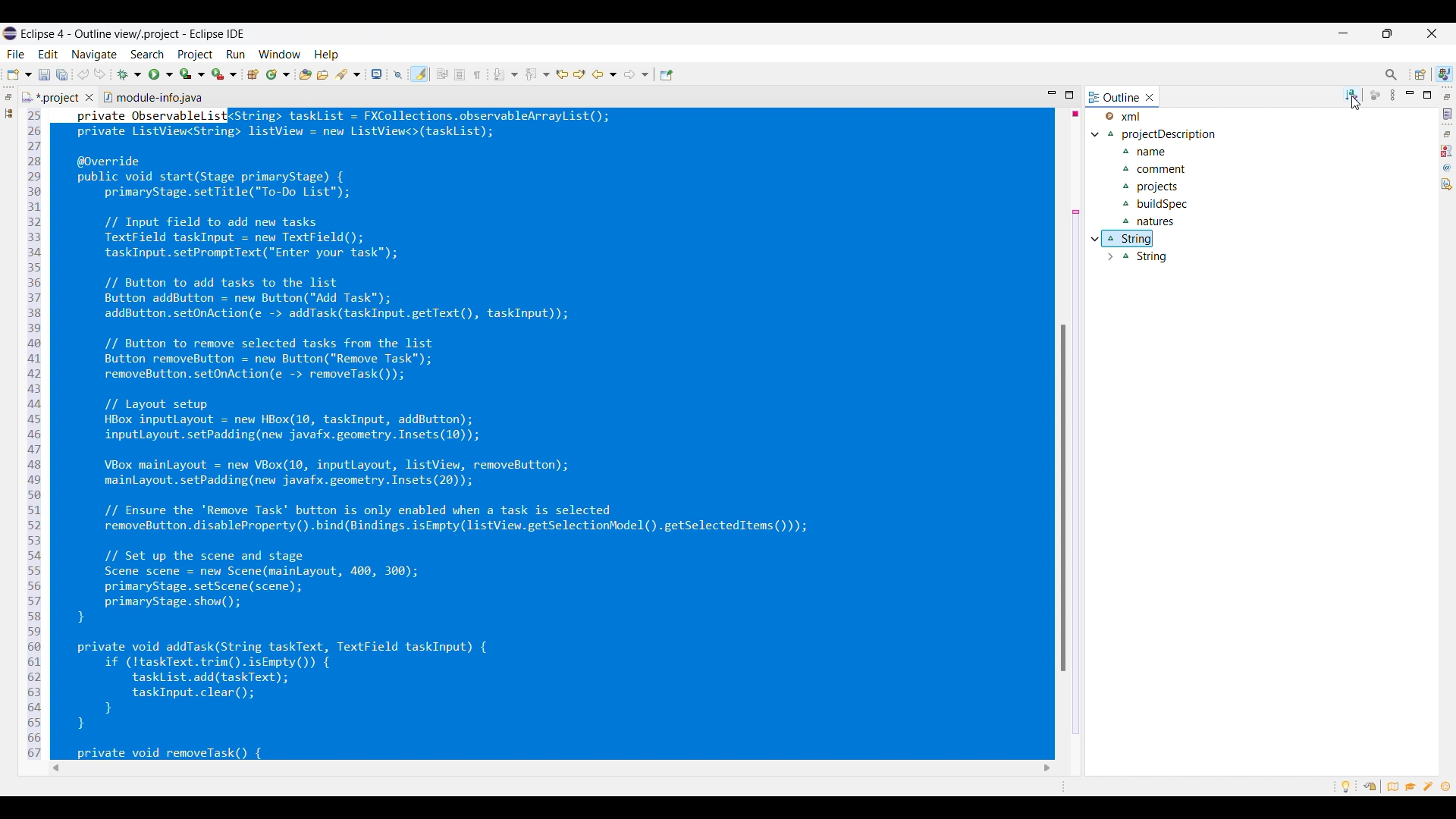 The width and height of the screenshot is (1456, 819). I want to click on Debug options, so click(129, 75).